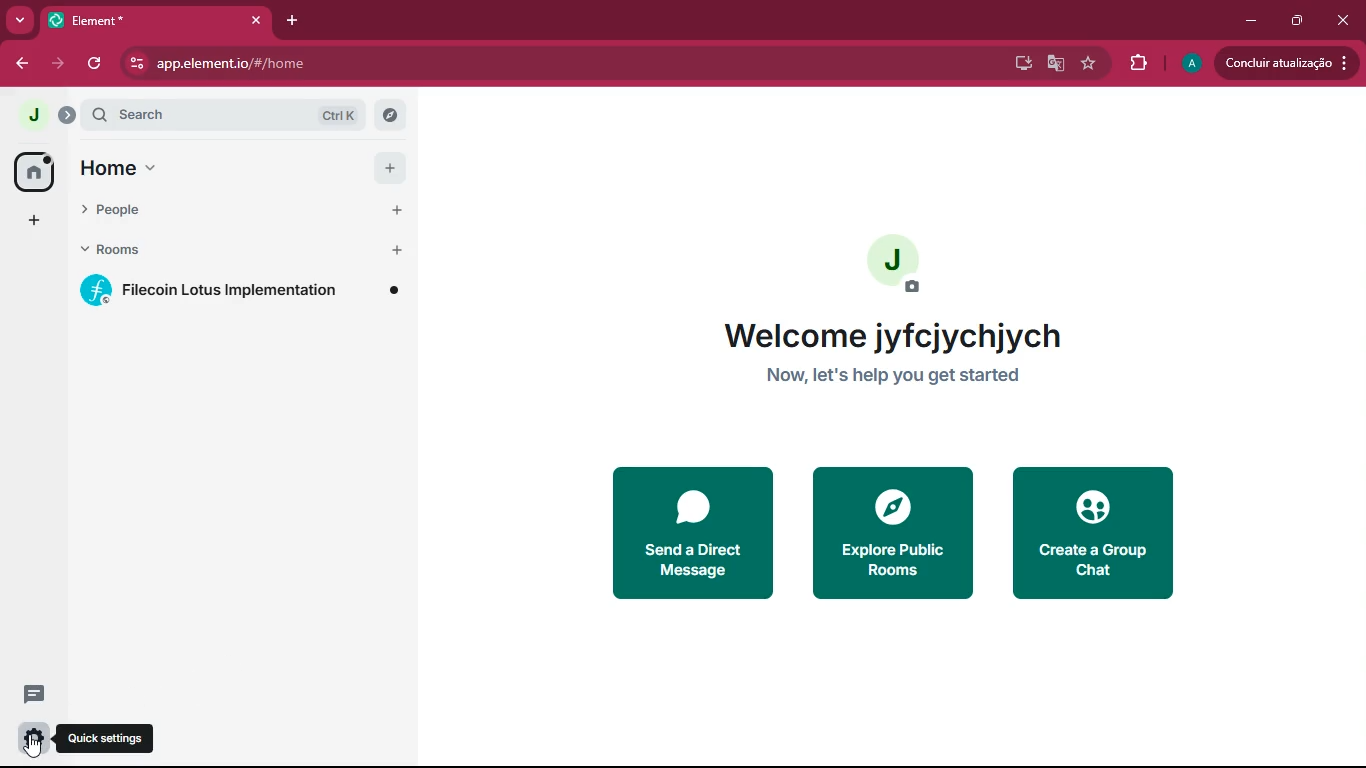 The height and width of the screenshot is (768, 1366). What do you see at coordinates (398, 250) in the screenshot?
I see `add room` at bounding box center [398, 250].